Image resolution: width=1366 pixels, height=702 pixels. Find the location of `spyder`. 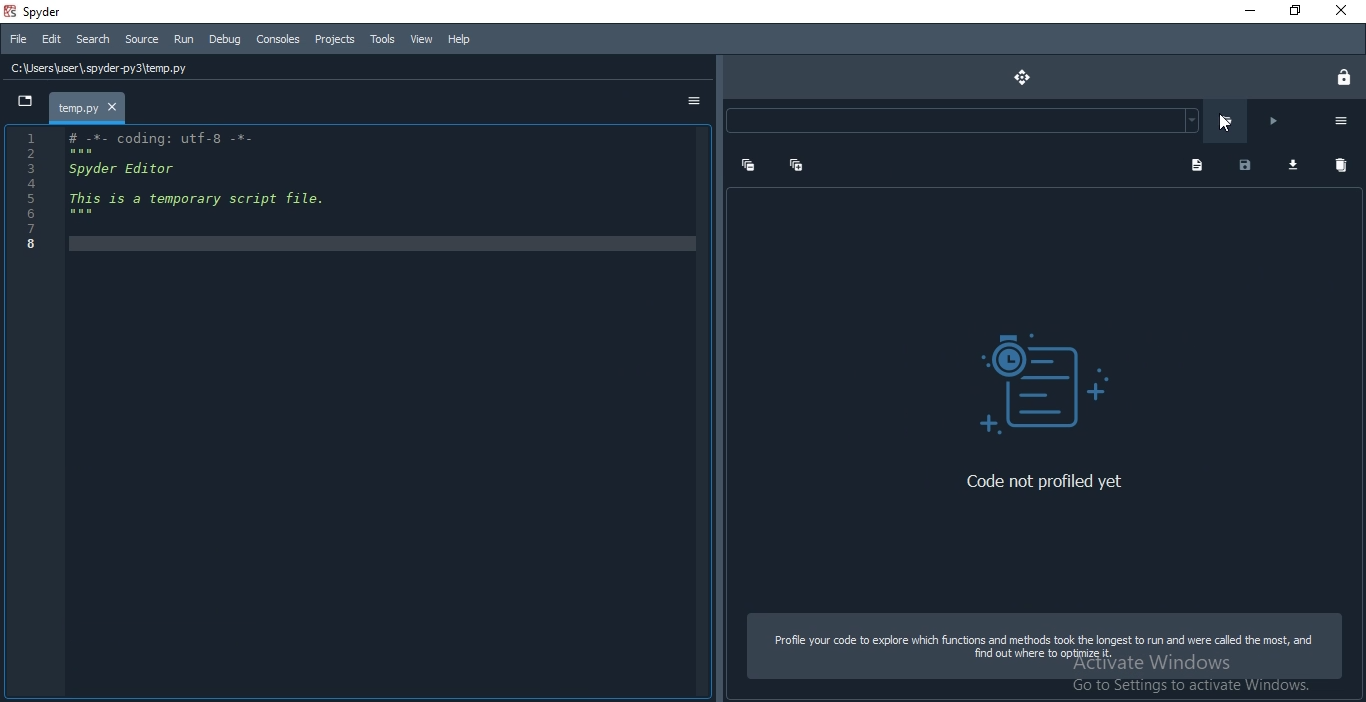

spyder is located at coordinates (43, 11).